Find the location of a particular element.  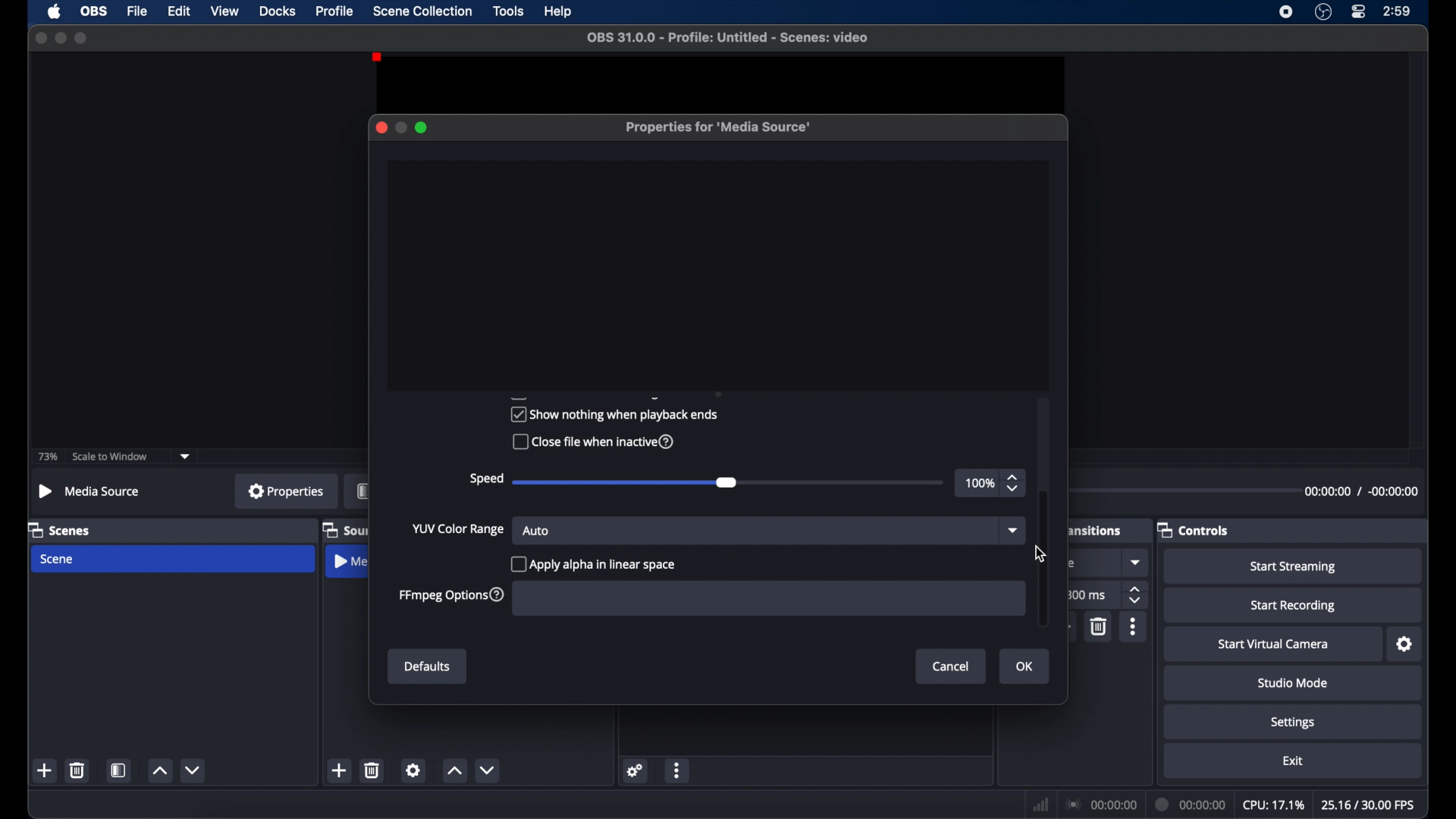

show nothing when playback ends is located at coordinates (613, 414).